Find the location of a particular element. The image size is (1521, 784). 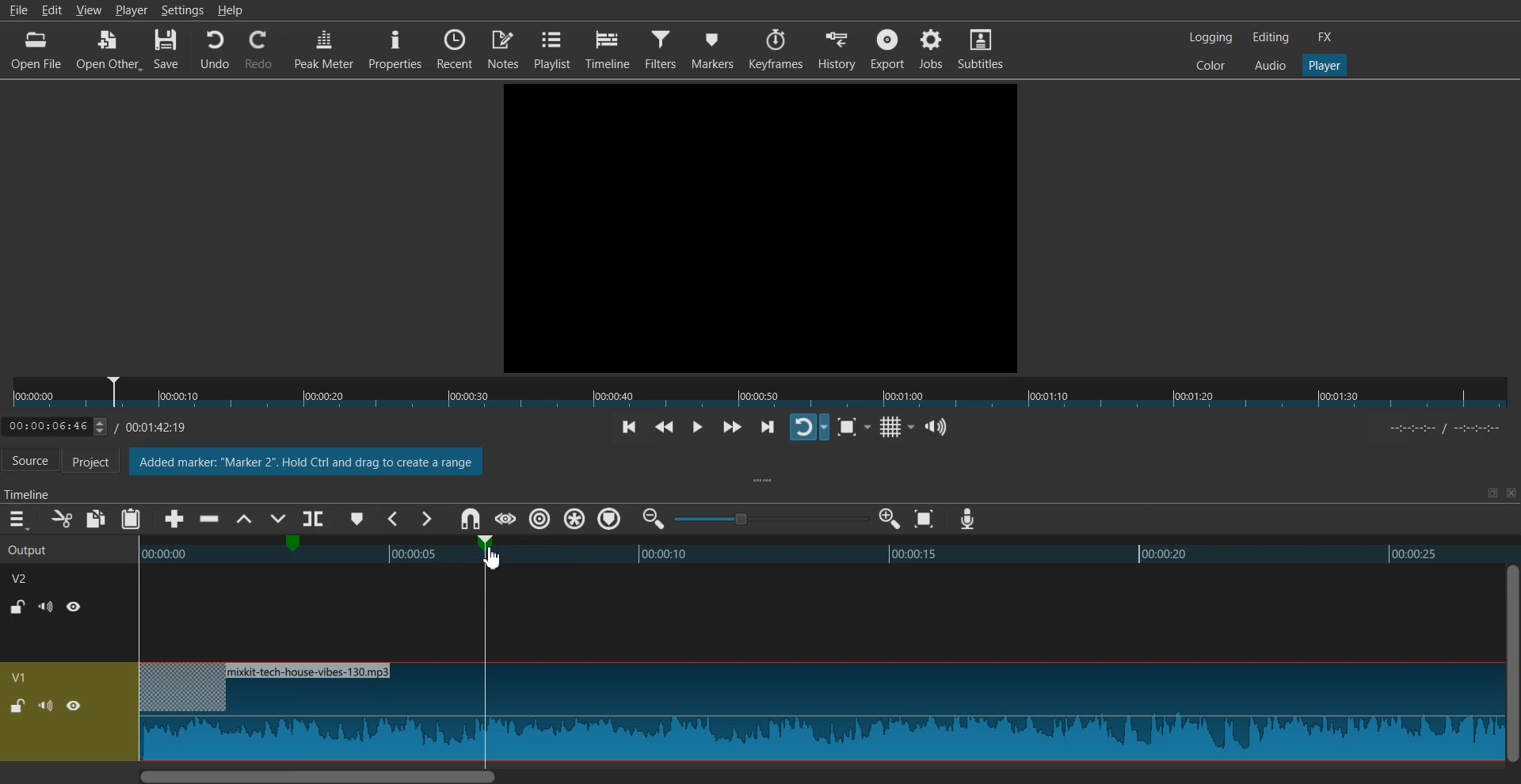

View is located at coordinates (89, 12).